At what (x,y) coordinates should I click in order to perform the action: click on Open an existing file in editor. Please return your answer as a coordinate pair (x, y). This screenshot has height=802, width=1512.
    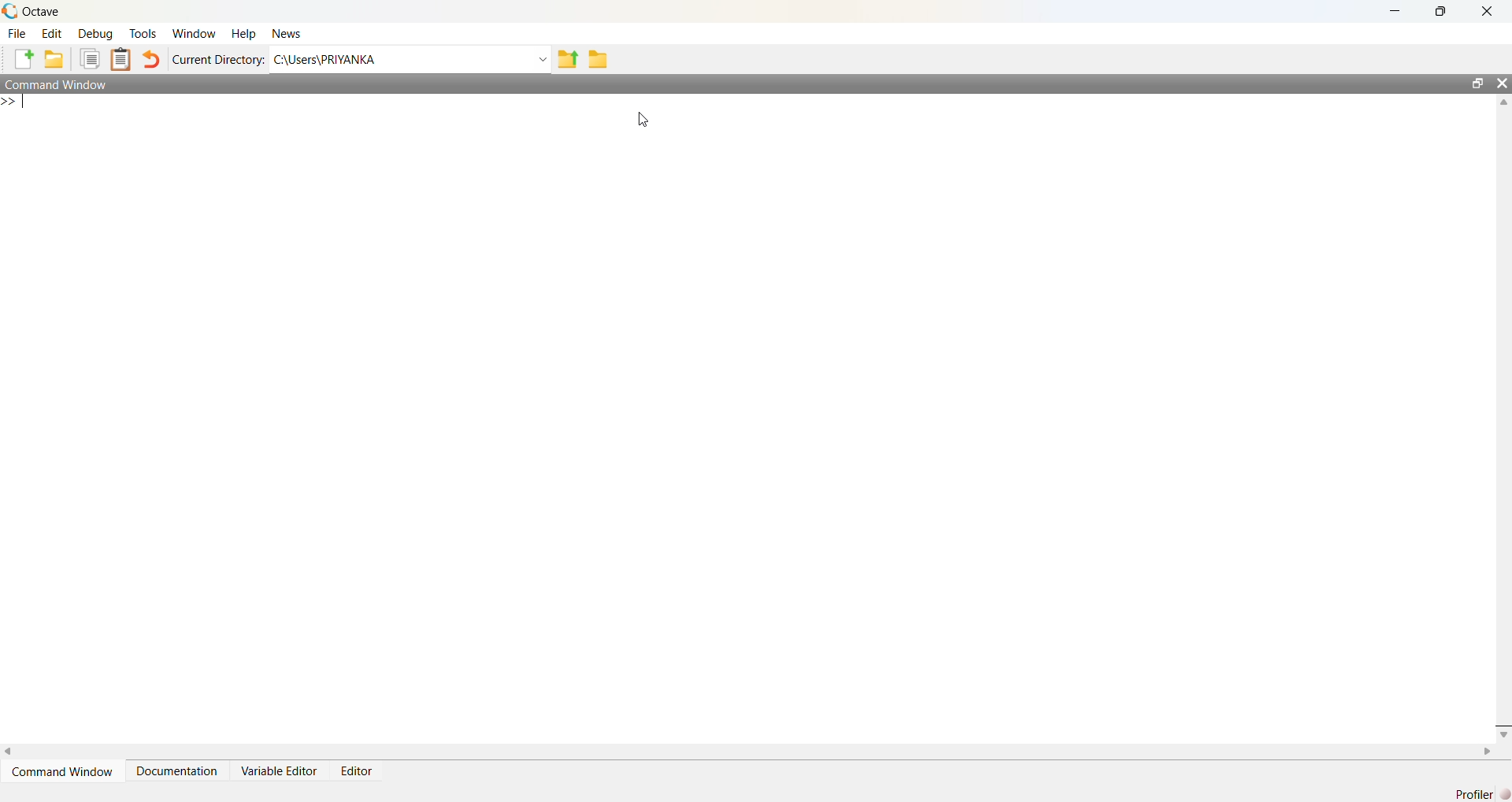
    Looking at the image, I should click on (54, 58).